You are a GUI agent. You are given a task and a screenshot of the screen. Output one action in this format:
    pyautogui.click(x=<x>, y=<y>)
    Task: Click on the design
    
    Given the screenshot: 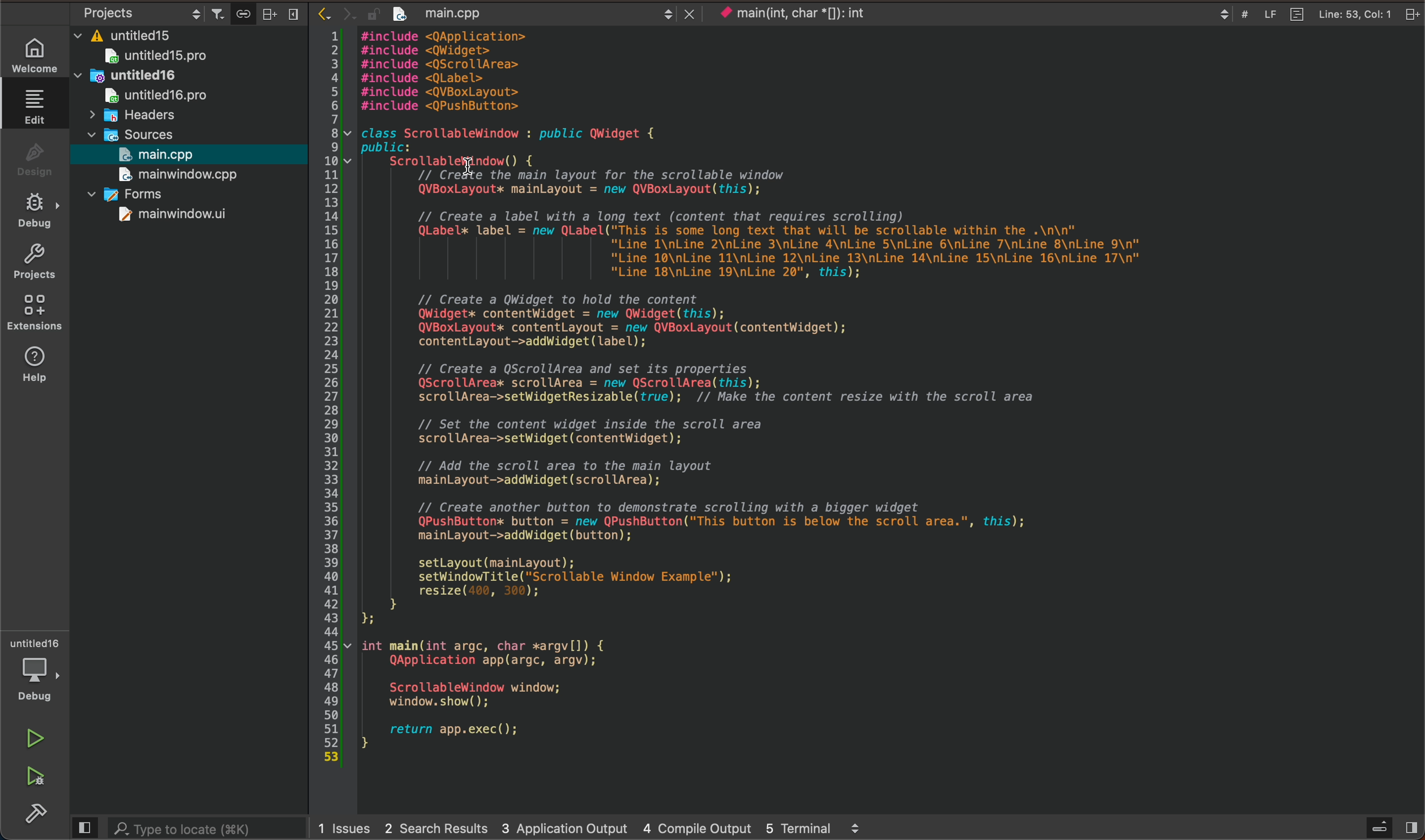 What is the action you would take?
    pyautogui.click(x=32, y=160)
    